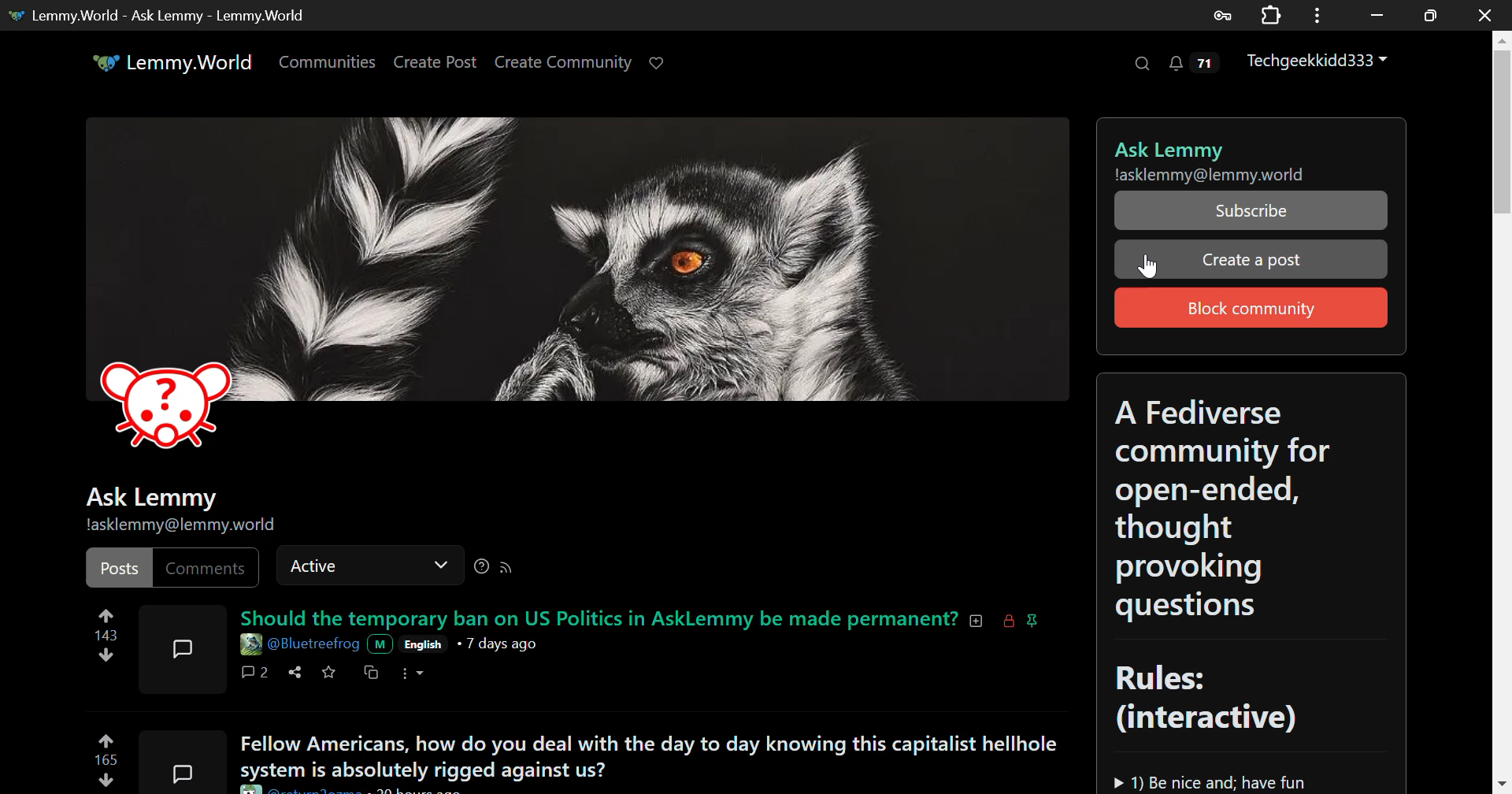 The width and height of the screenshot is (1512, 794). Describe the element at coordinates (183, 648) in the screenshot. I see `Post Icon` at that location.